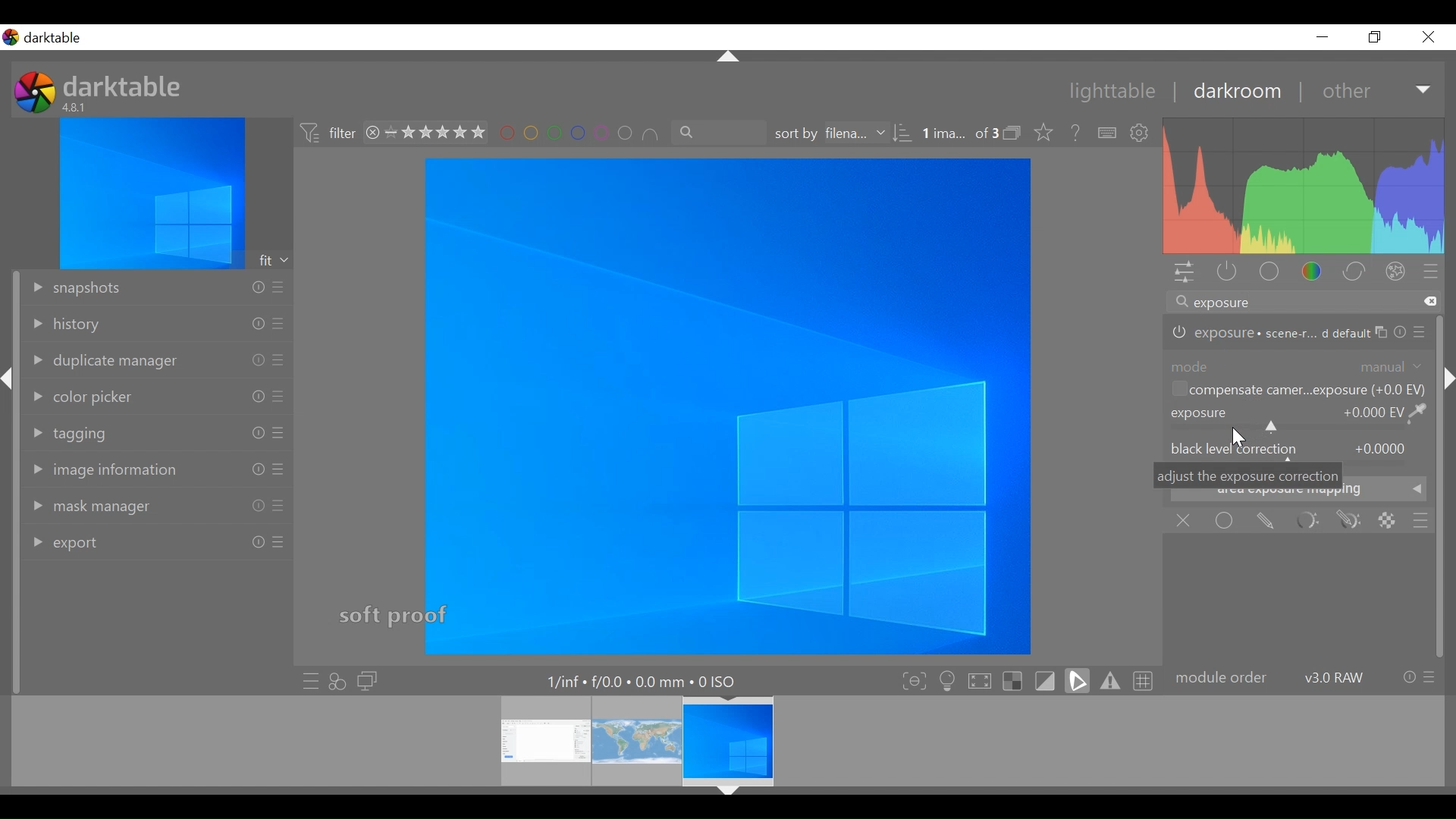 This screenshot has width=1456, height=819. What do you see at coordinates (1229, 274) in the screenshot?
I see `show only active modules` at bounding box center [1229, 274].